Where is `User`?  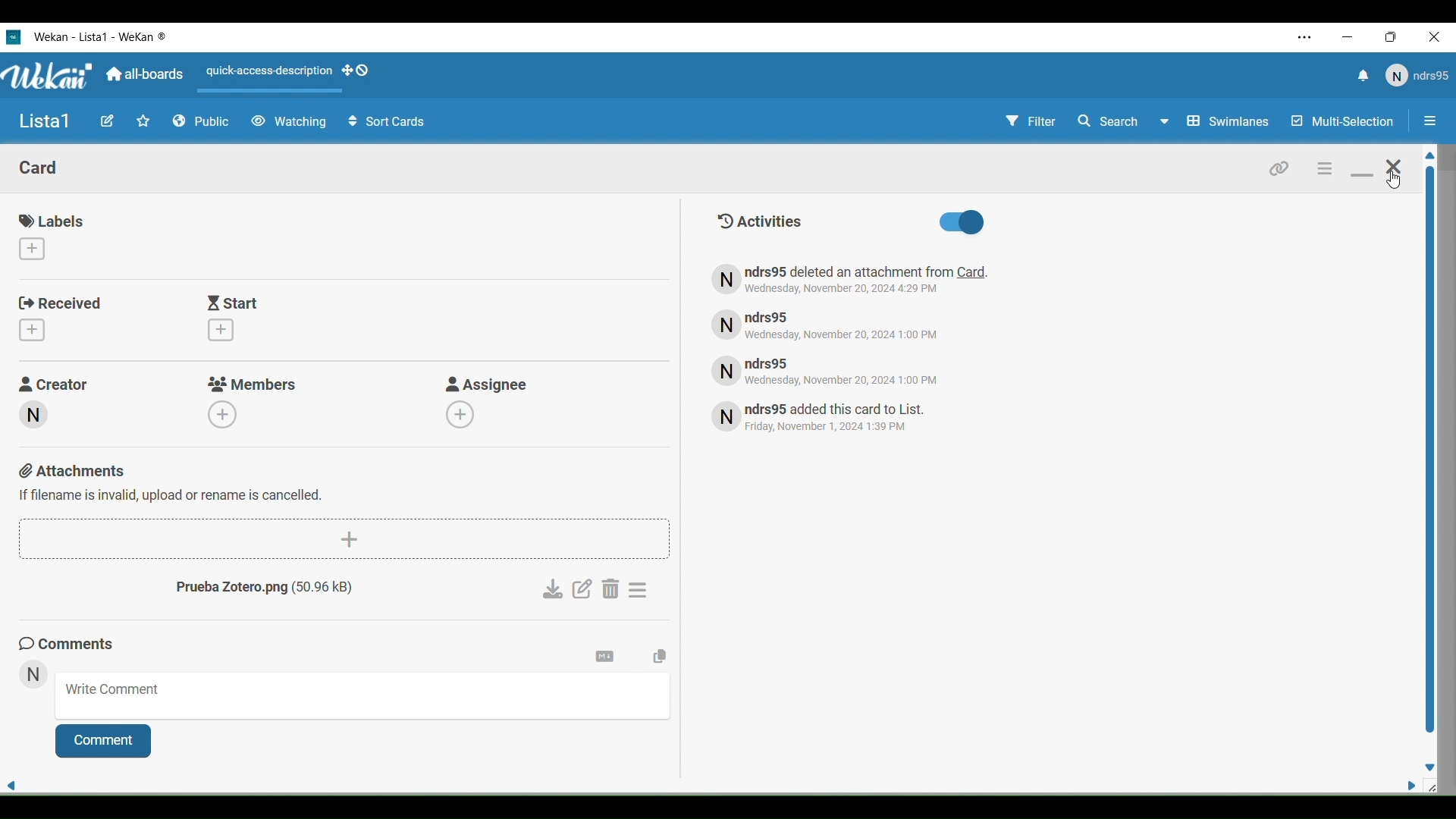
User is located at coordinates (33, 675).